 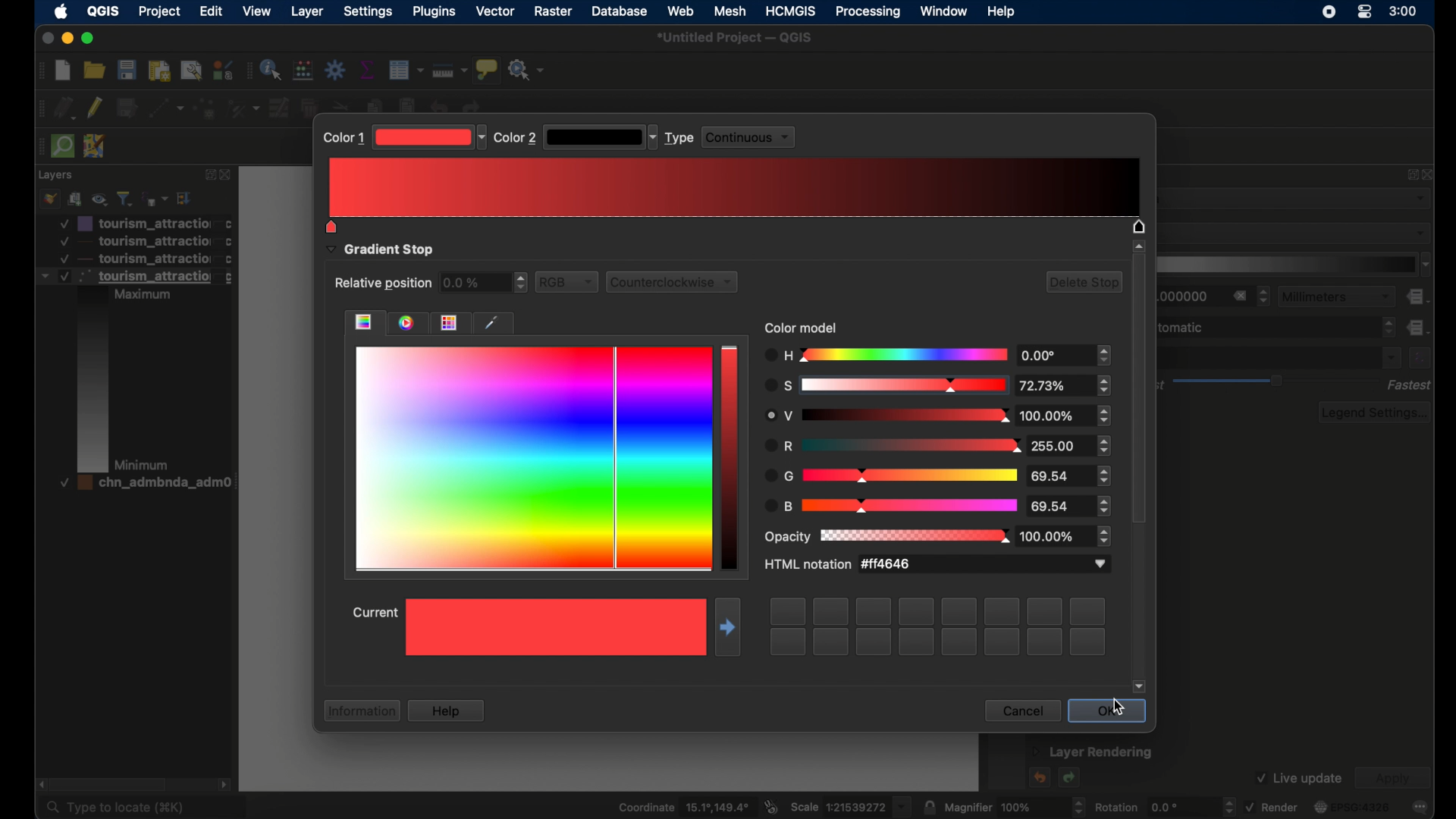 I want to click on best, so click(x=1163, y=387).